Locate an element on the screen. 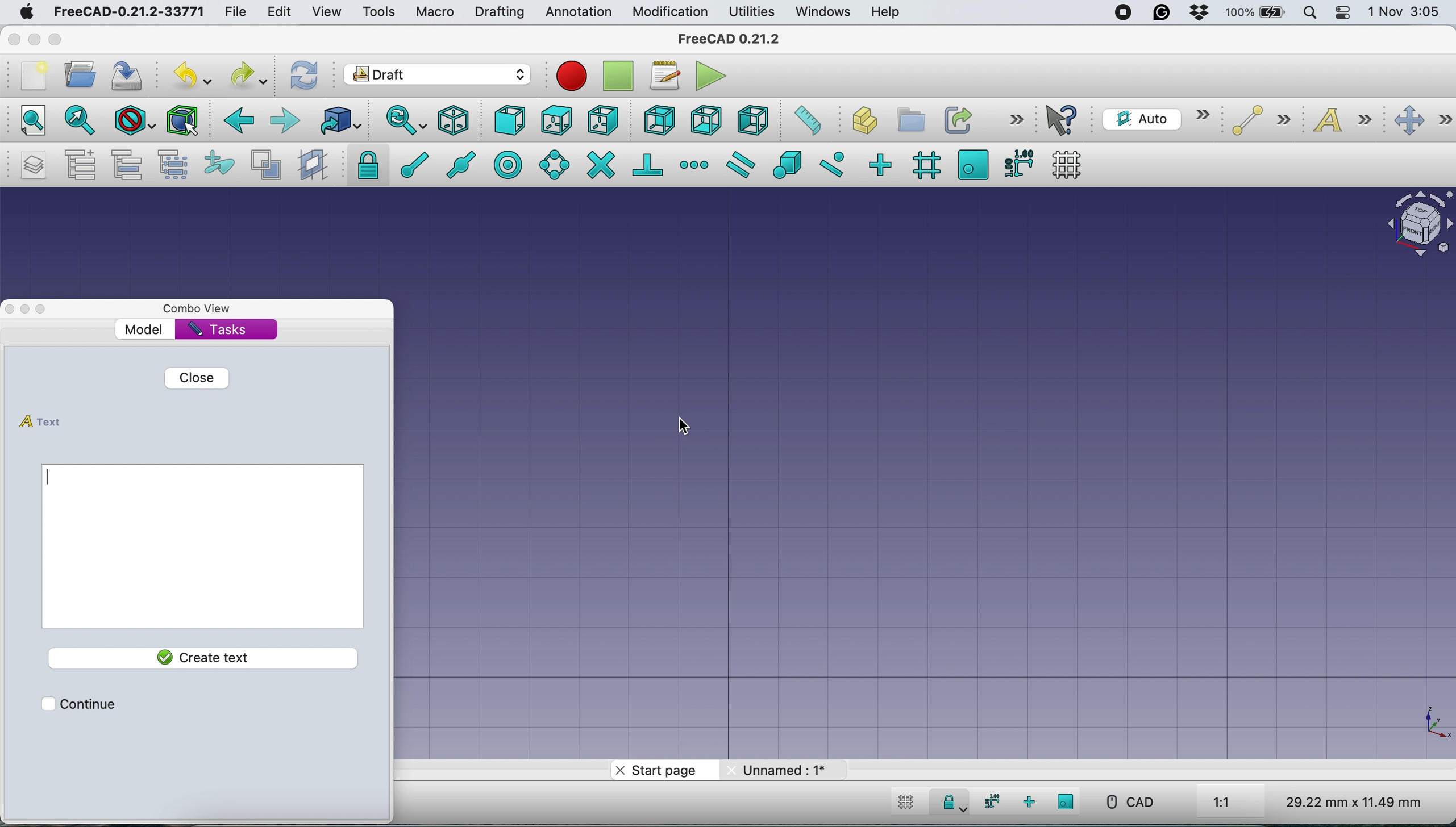  snap center is located at coordinates (506, 168).